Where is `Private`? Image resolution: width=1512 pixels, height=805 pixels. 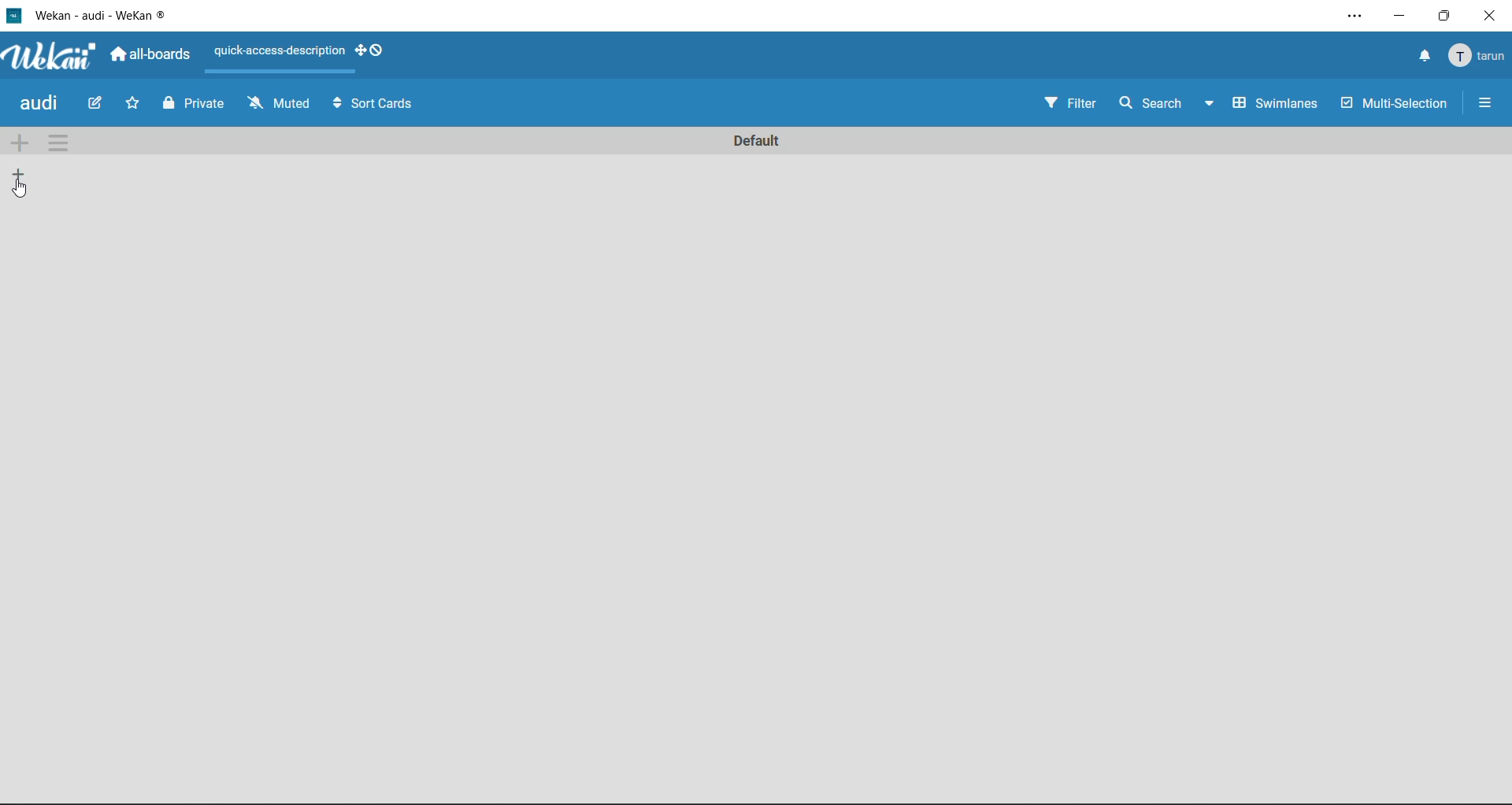
Private is located at coordinates (193, 105).